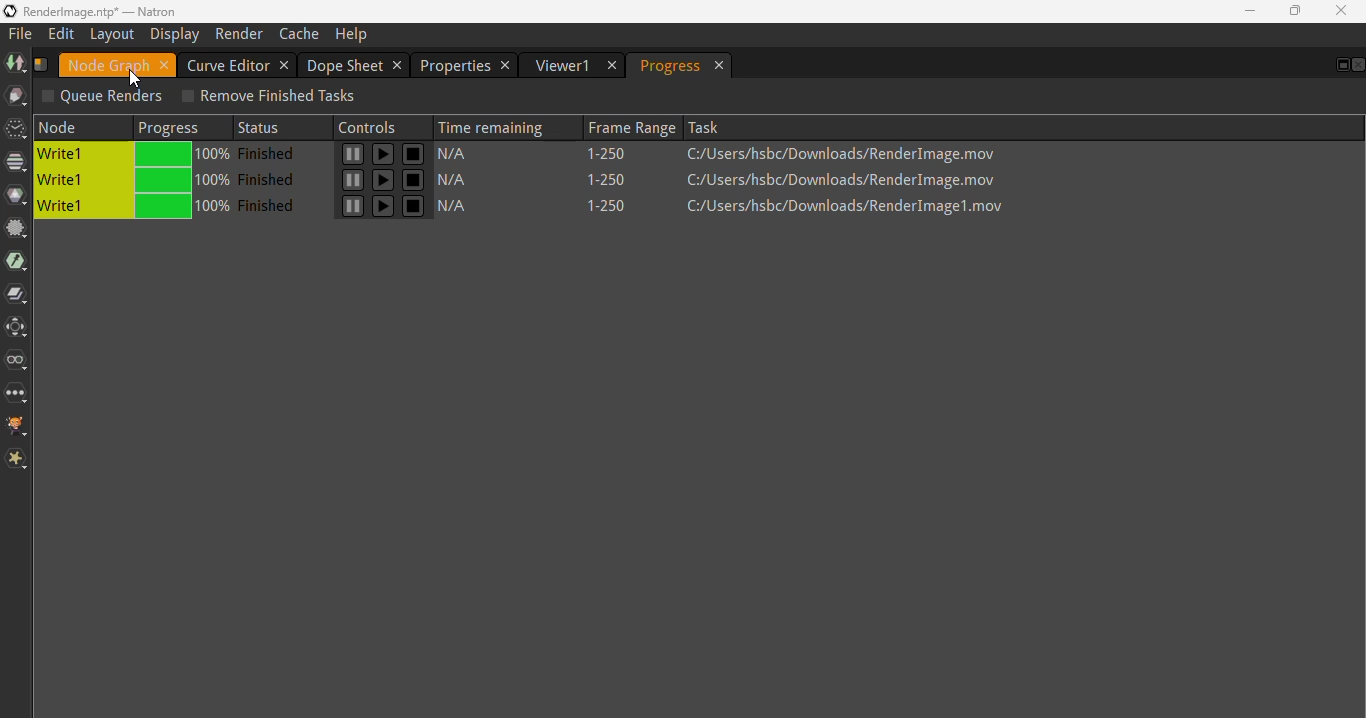 The image size is (1366, 718). I want to click on help, so click(352, 35).